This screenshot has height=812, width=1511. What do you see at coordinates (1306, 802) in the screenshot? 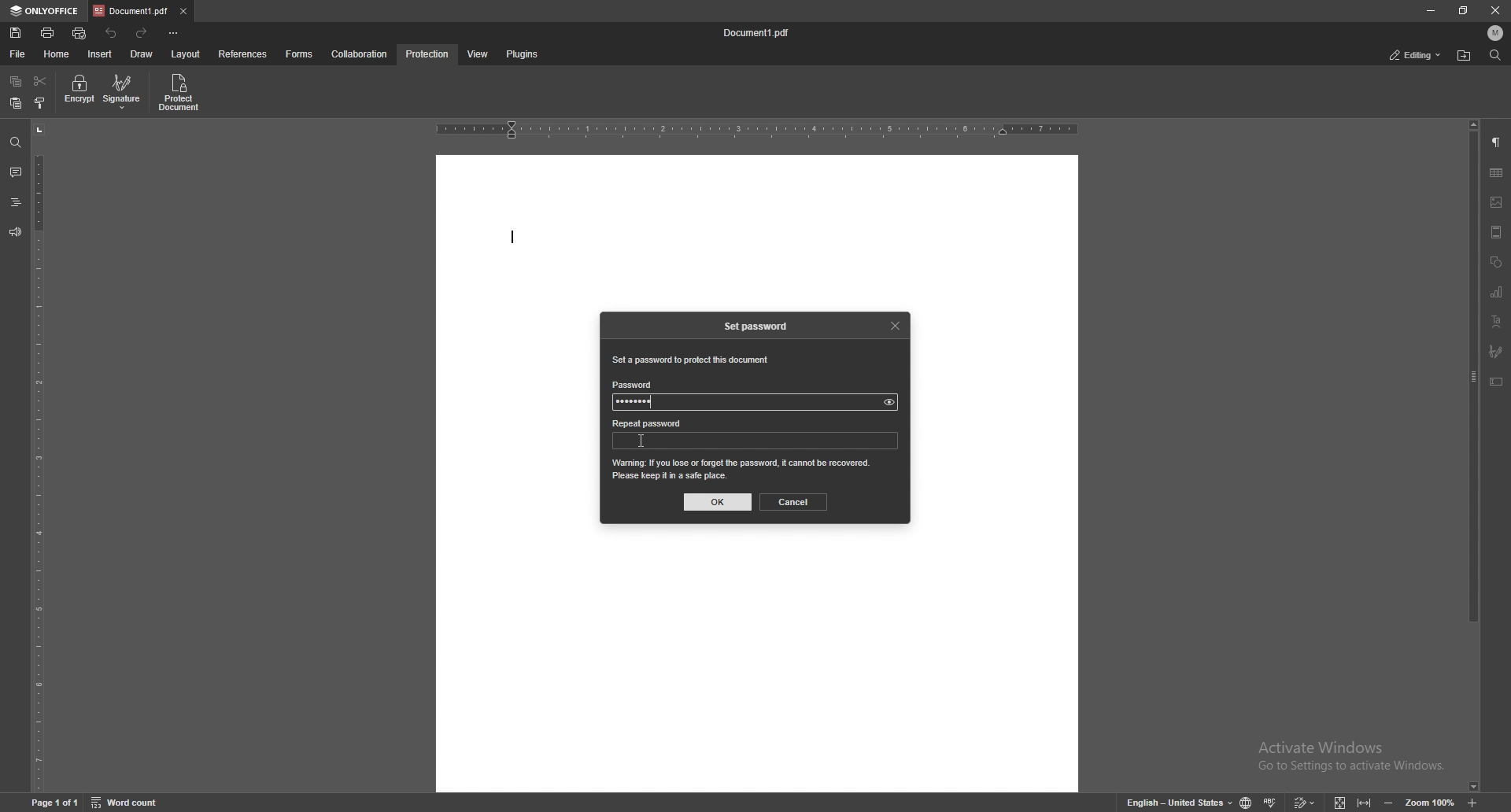
I see `track change` at bounding box center [1306, 802].